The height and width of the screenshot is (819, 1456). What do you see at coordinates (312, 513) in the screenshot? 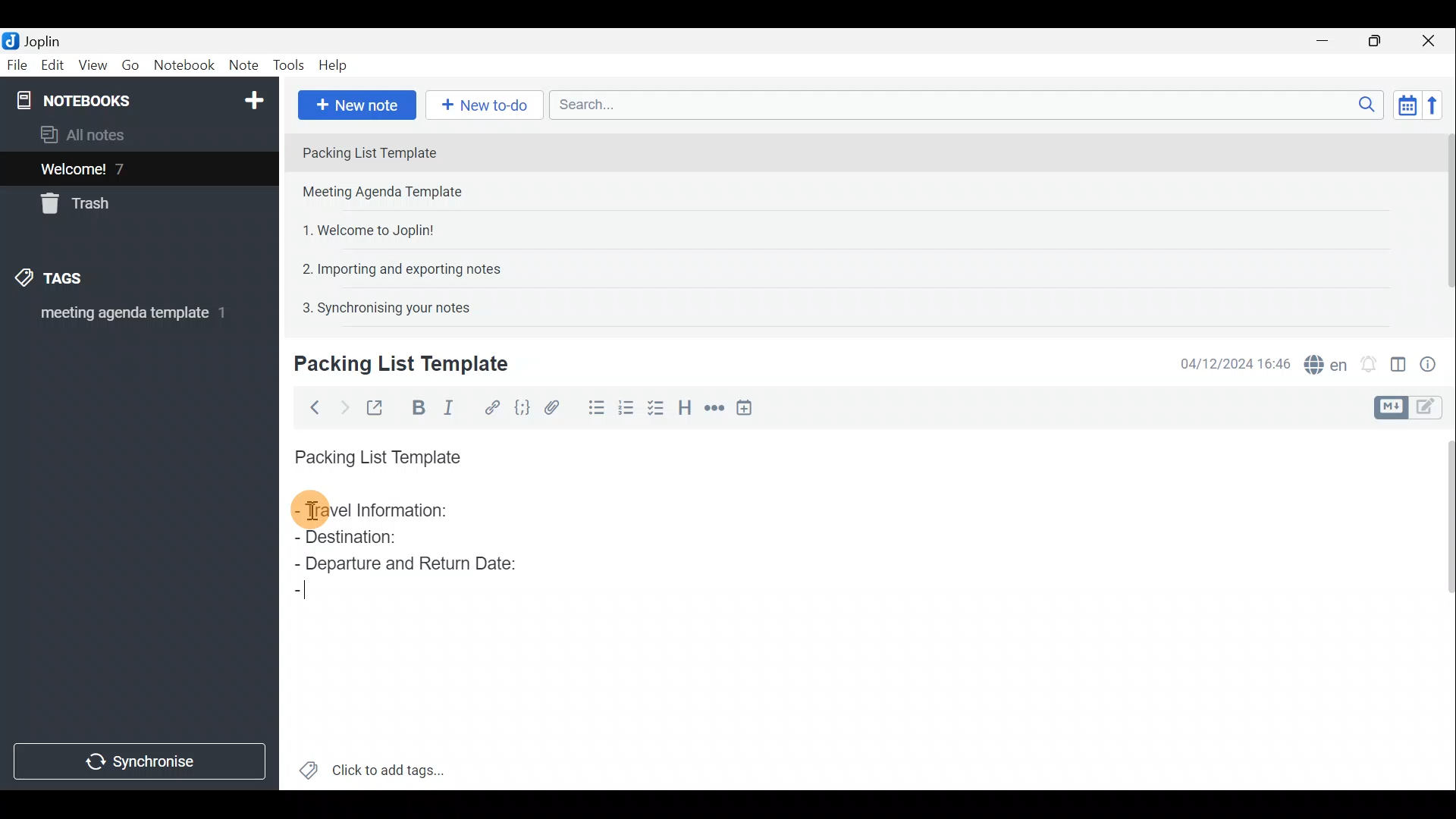
I see `cursor` at bounding box center [312, 513].